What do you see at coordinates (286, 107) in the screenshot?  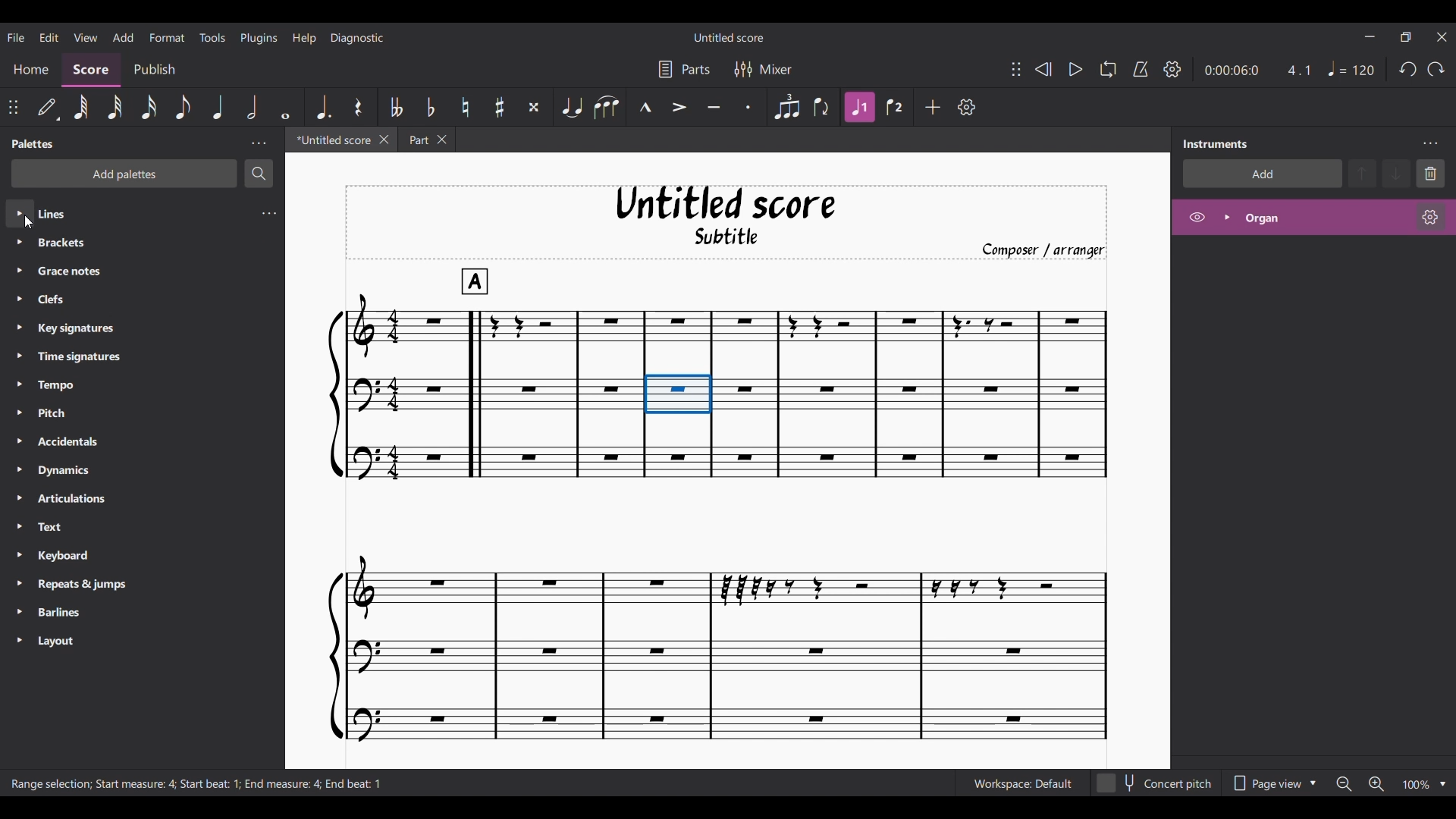 I see `Whole note` at bounding box center [286, 107].